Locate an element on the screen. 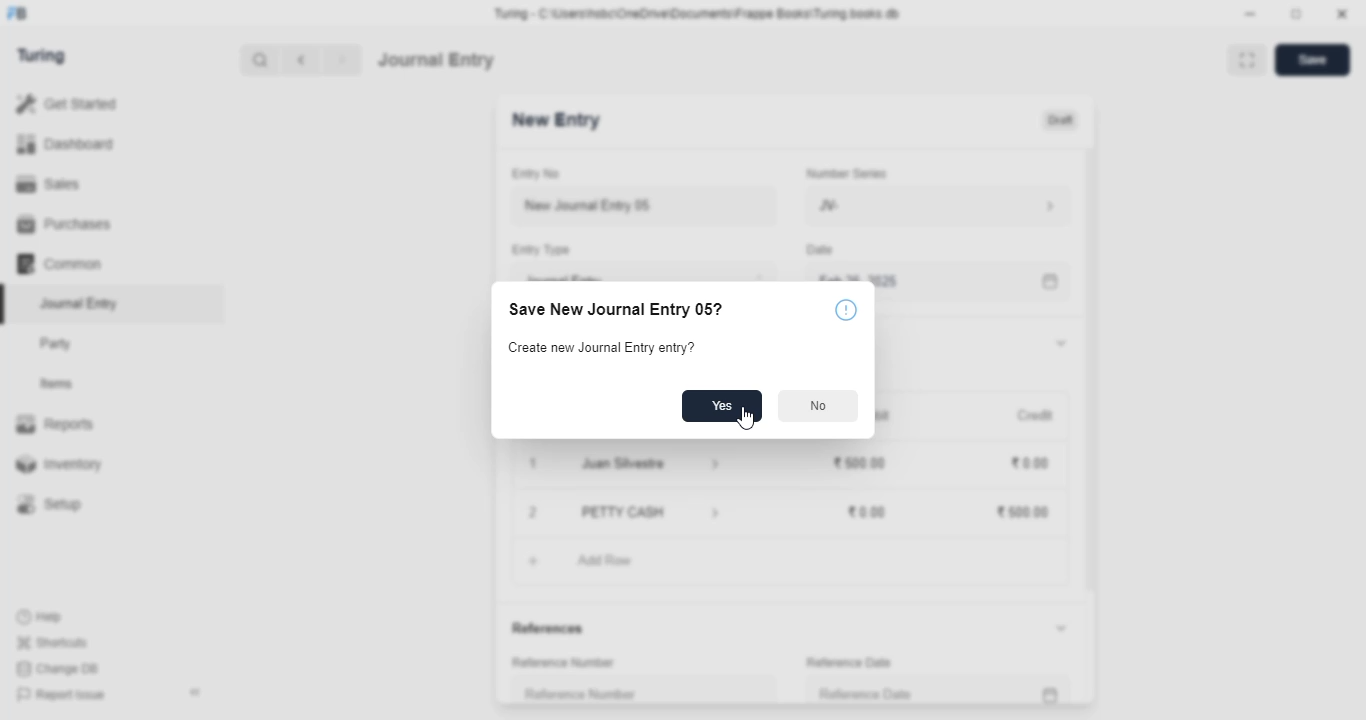 The image size is (1366, 720). purchases is located at coordinates (64, 224).